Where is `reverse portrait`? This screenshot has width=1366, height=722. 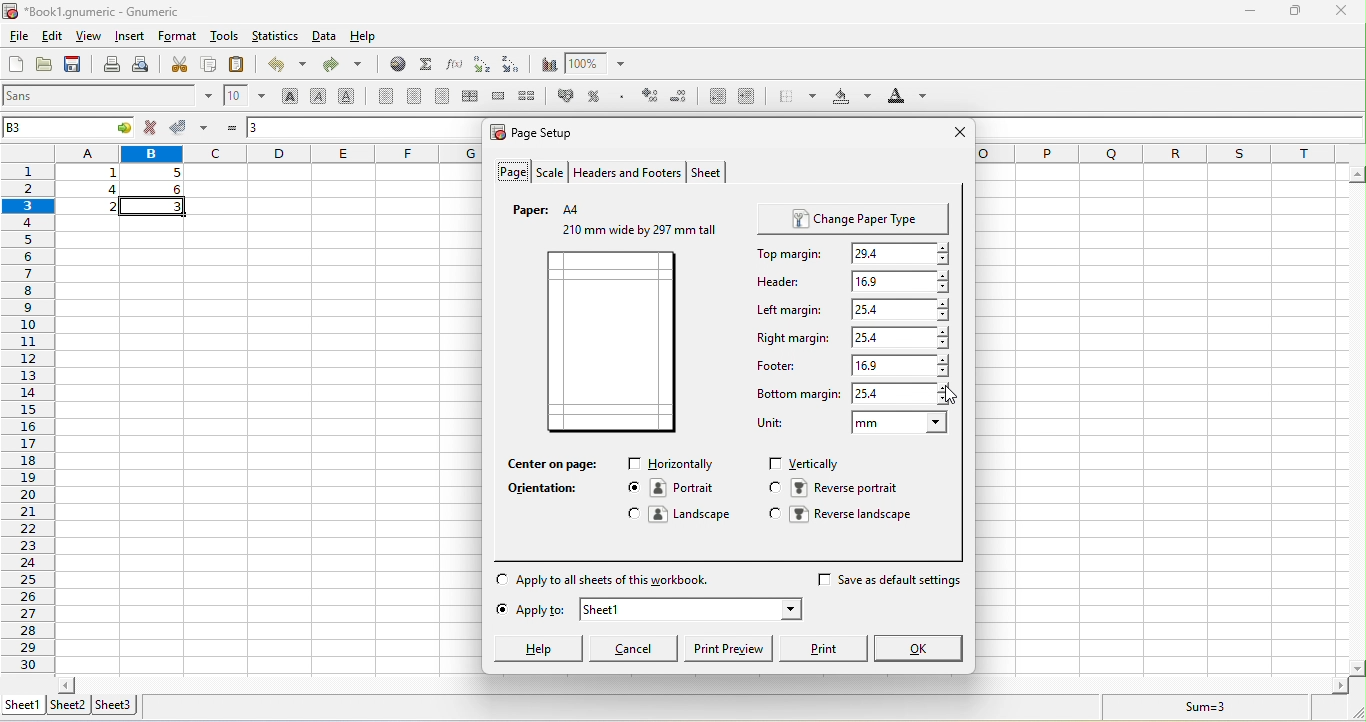
reverse portrait is located at coordinates (836, 487).